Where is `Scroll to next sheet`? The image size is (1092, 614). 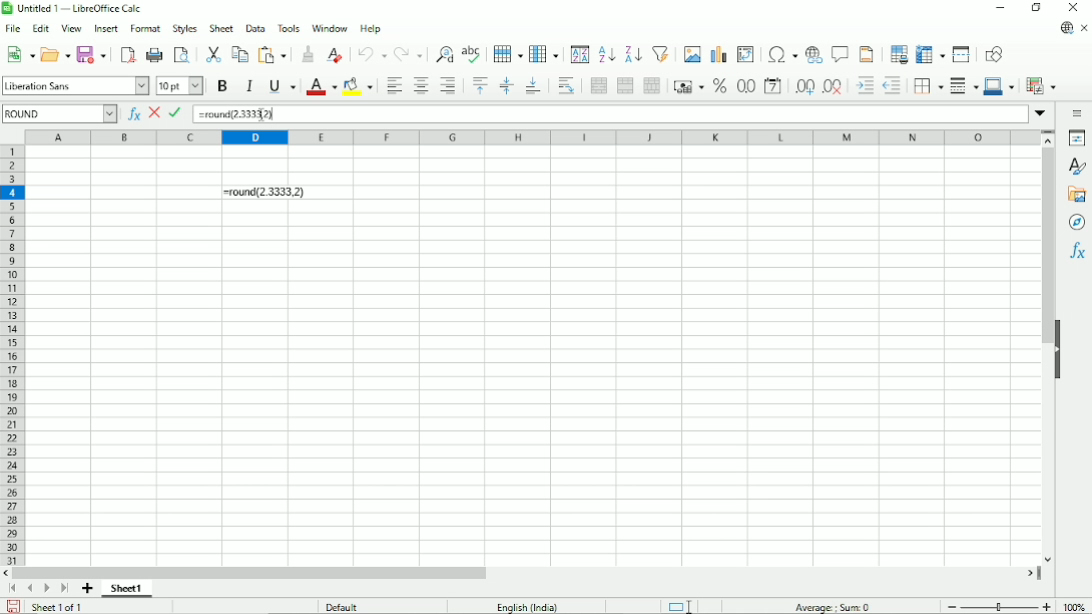 Scroll to next sheet is located at coordinates (46, 589).